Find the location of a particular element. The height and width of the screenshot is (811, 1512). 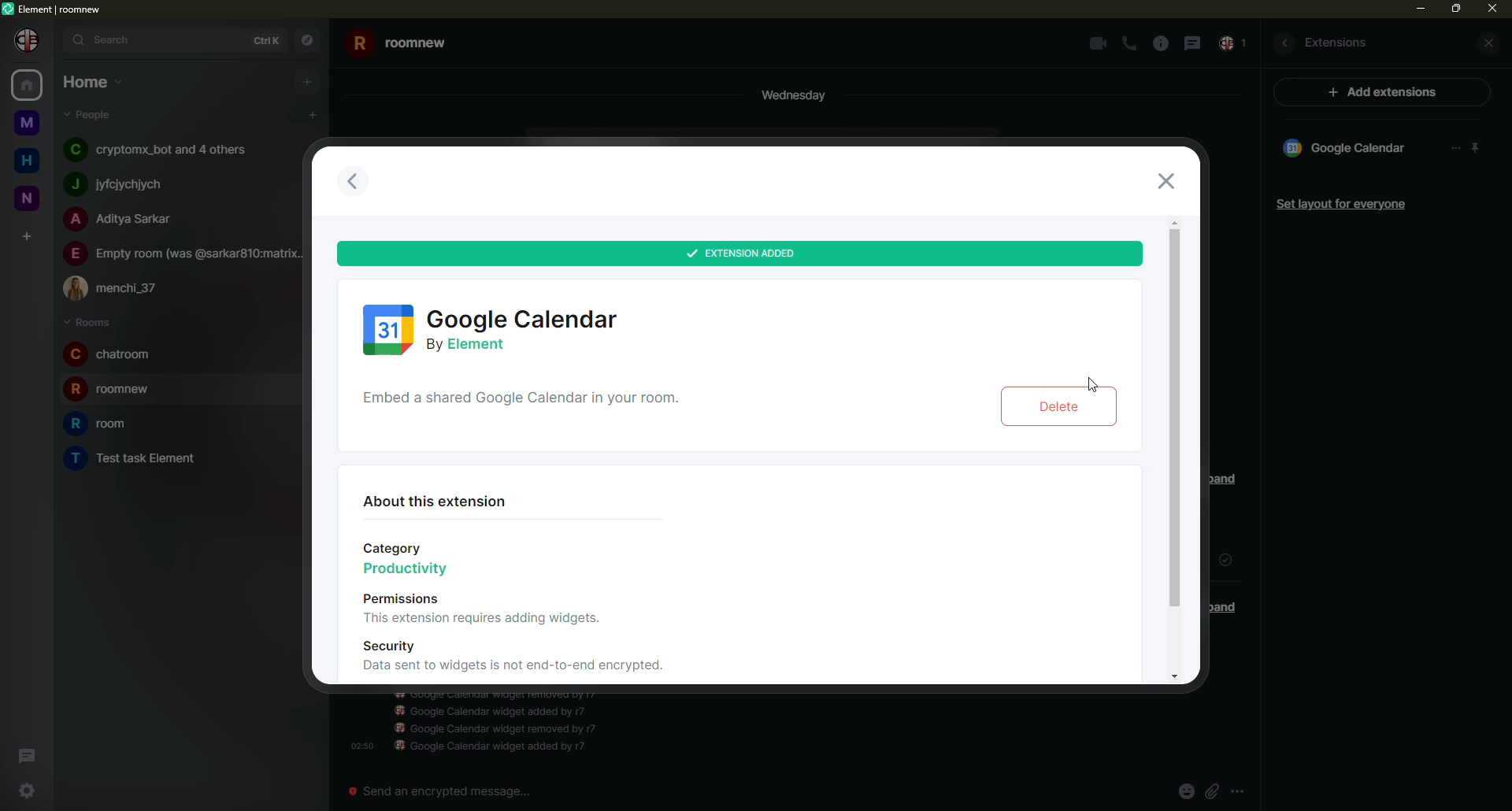

Permissions is located at coordinates (401, 599).